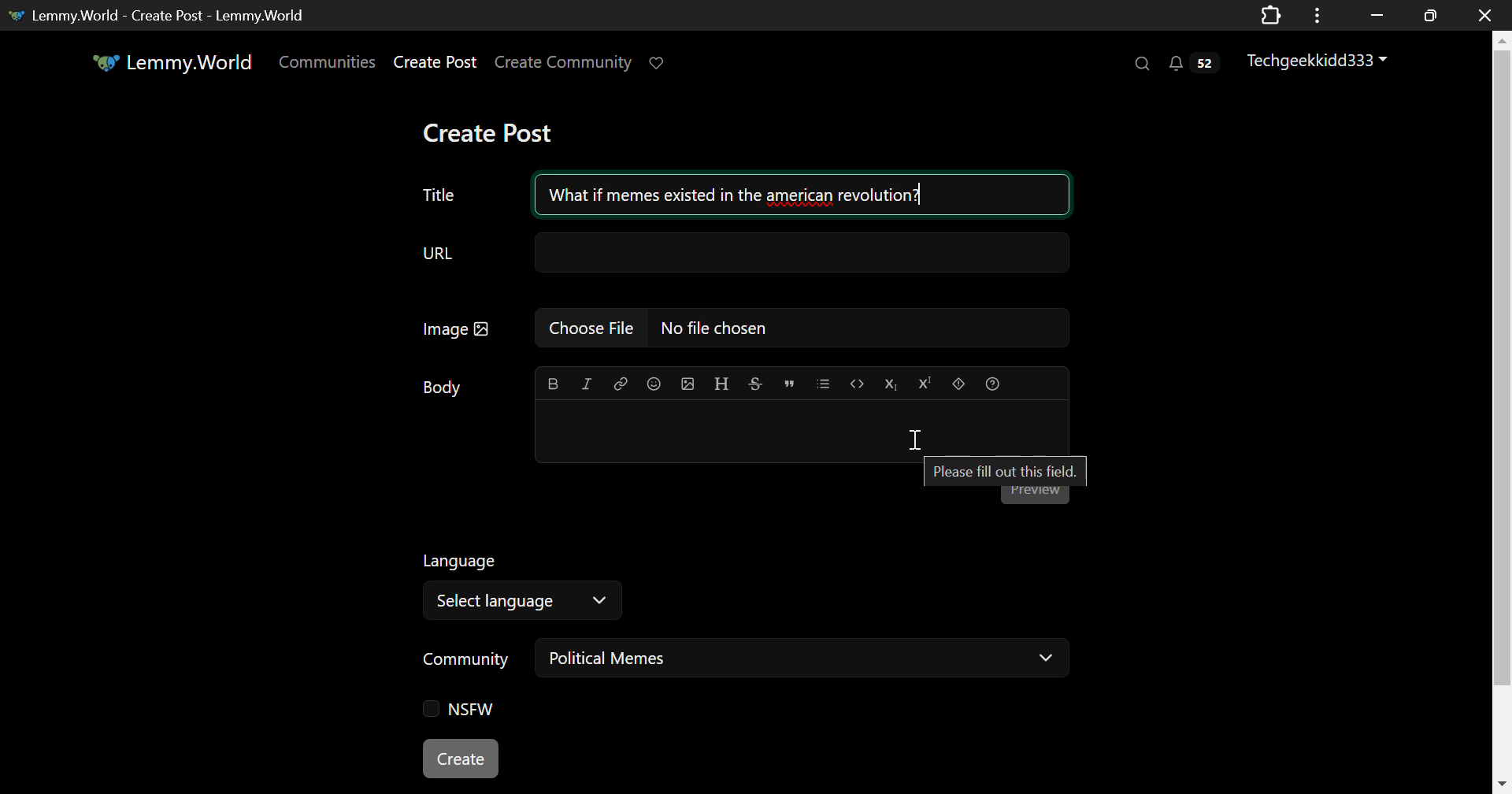 The height and width of the screenshot is (794, 1512). Describe the element at coordinates (746, 252) in the screenshot. I see `URL Field` at that location.